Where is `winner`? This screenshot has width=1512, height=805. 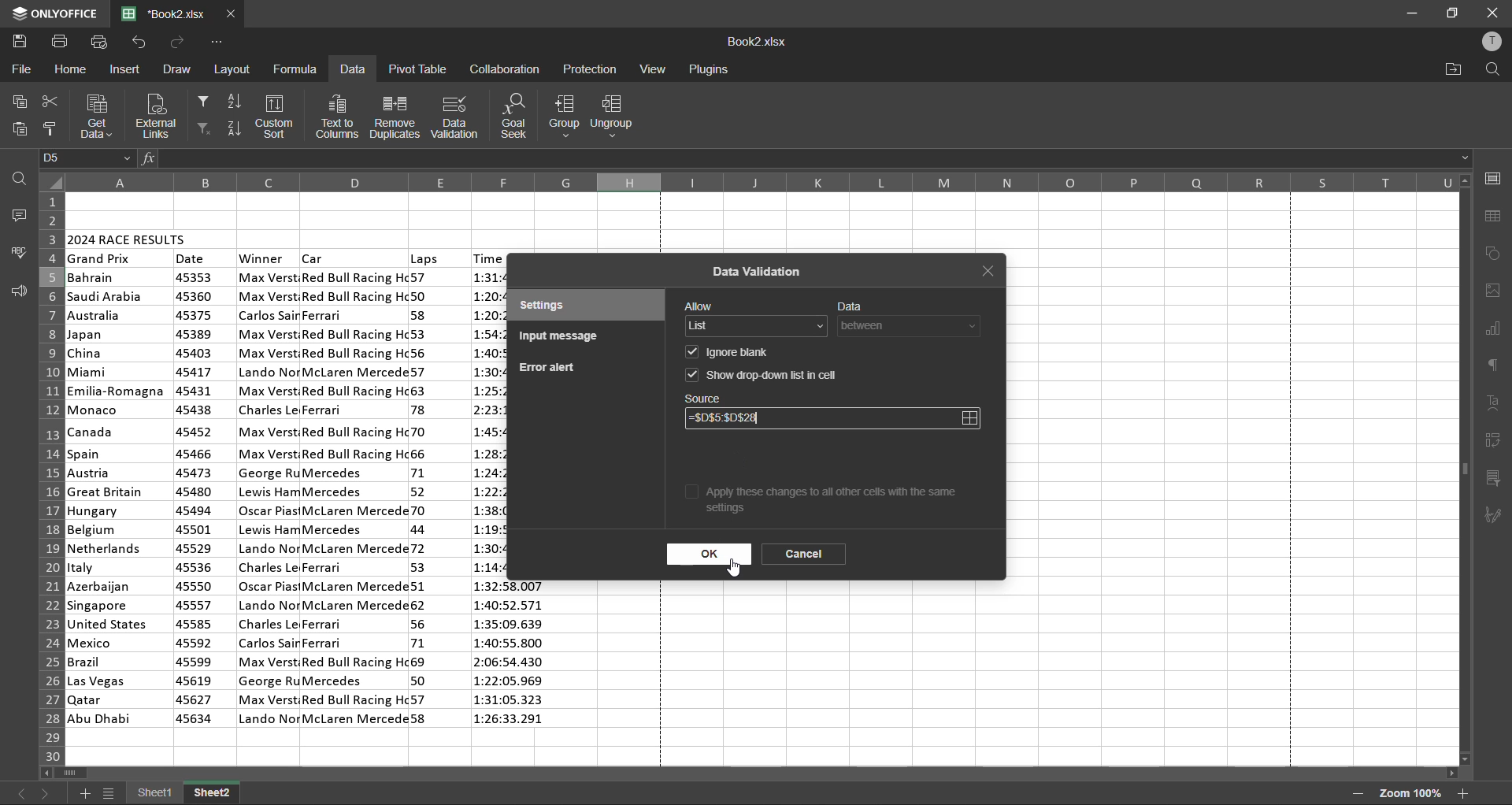 winner is located at coordinates (262, 258).